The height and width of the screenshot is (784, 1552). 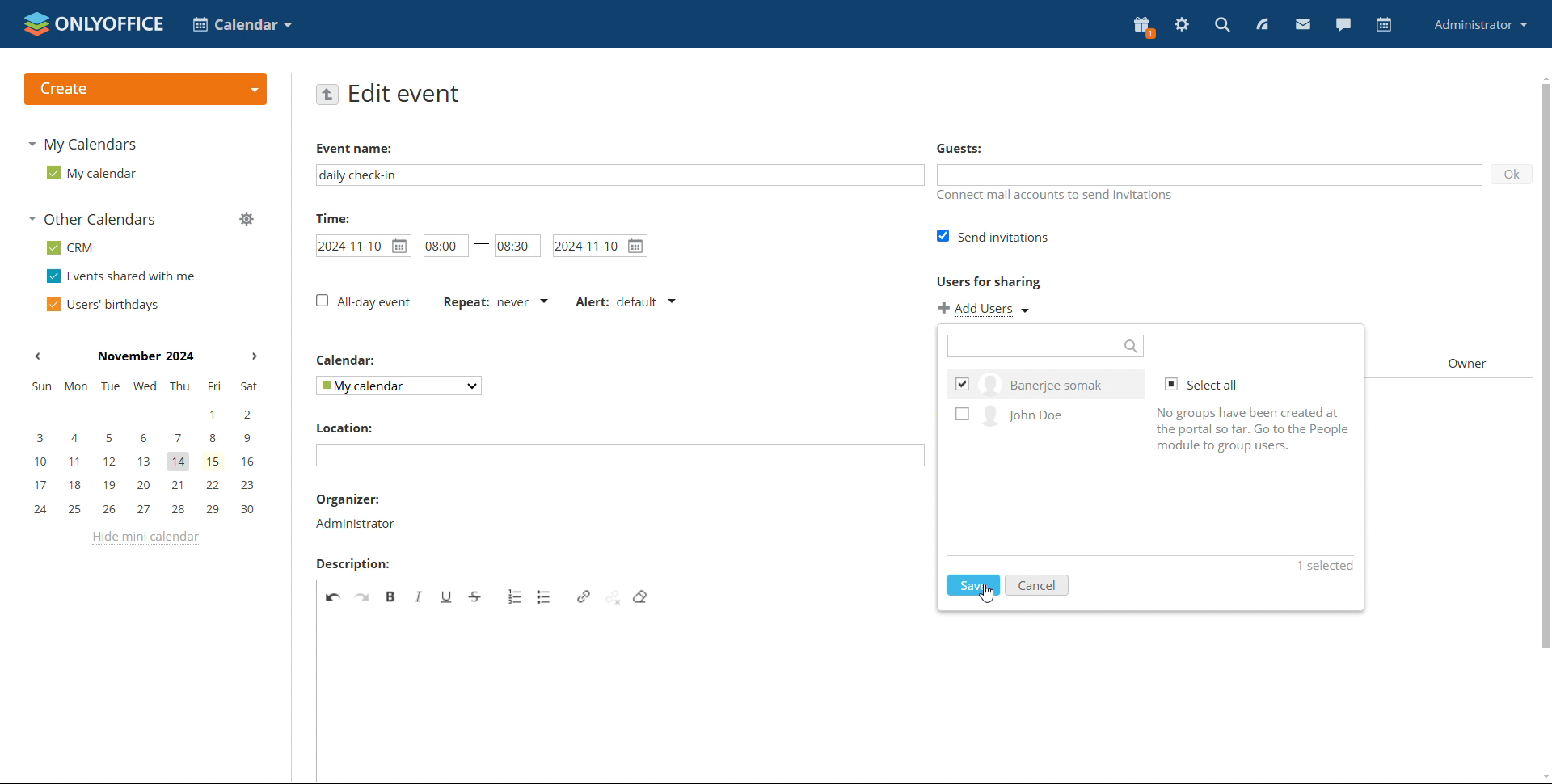 I want to click on present, so click(x=1144, y=27).